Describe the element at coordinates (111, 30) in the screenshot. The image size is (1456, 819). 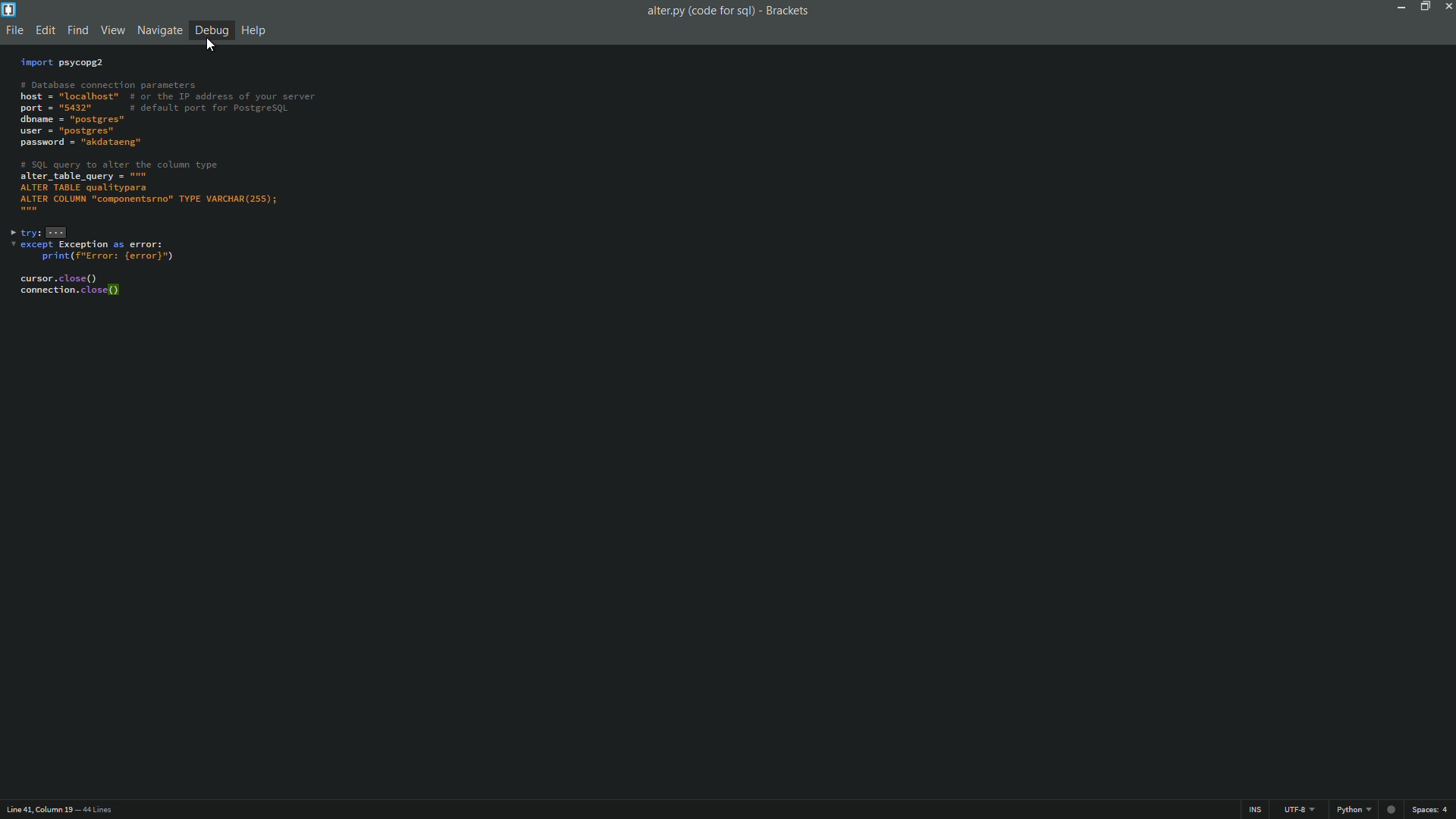
I see `view menu` at that location.